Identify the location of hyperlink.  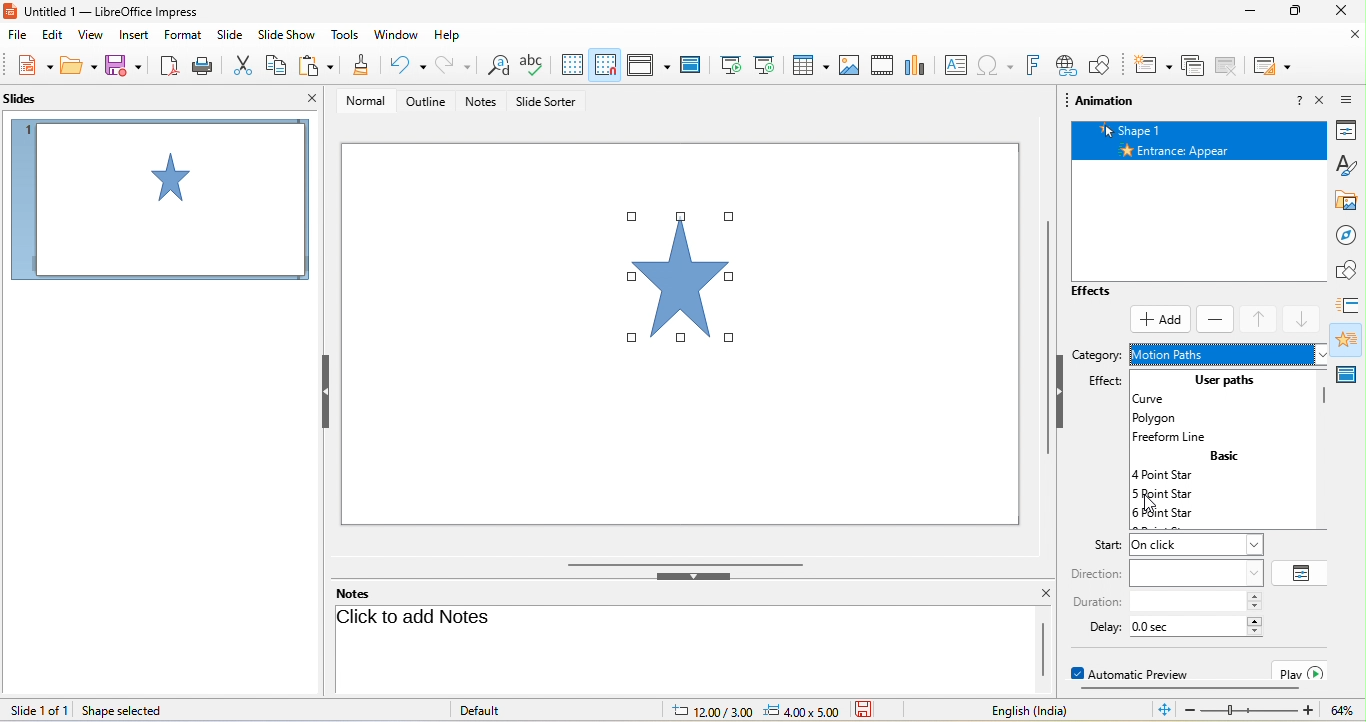
(1066, 65).